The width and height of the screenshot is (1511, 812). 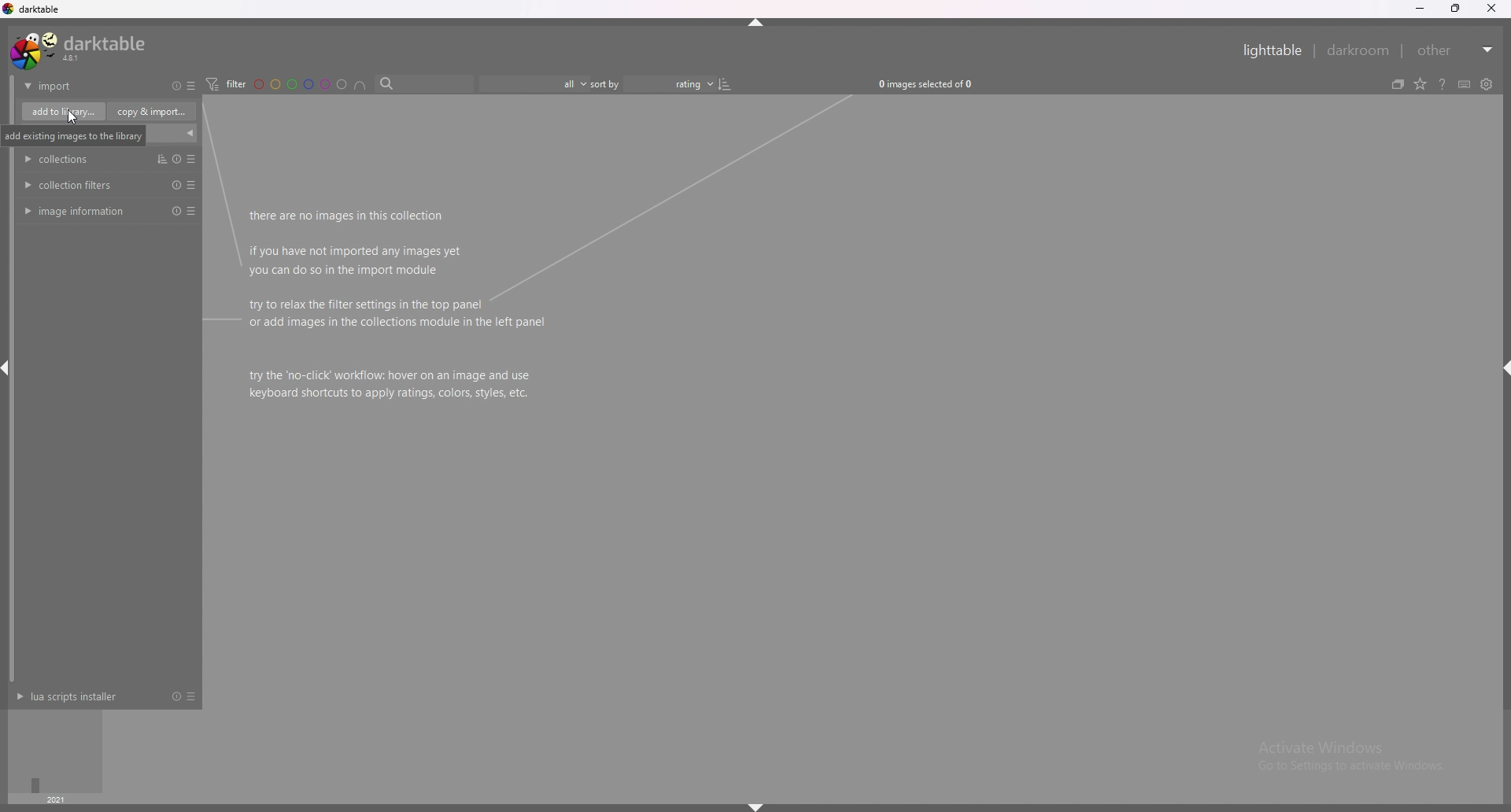 I want to click on collections, so click(x=63, y=159).